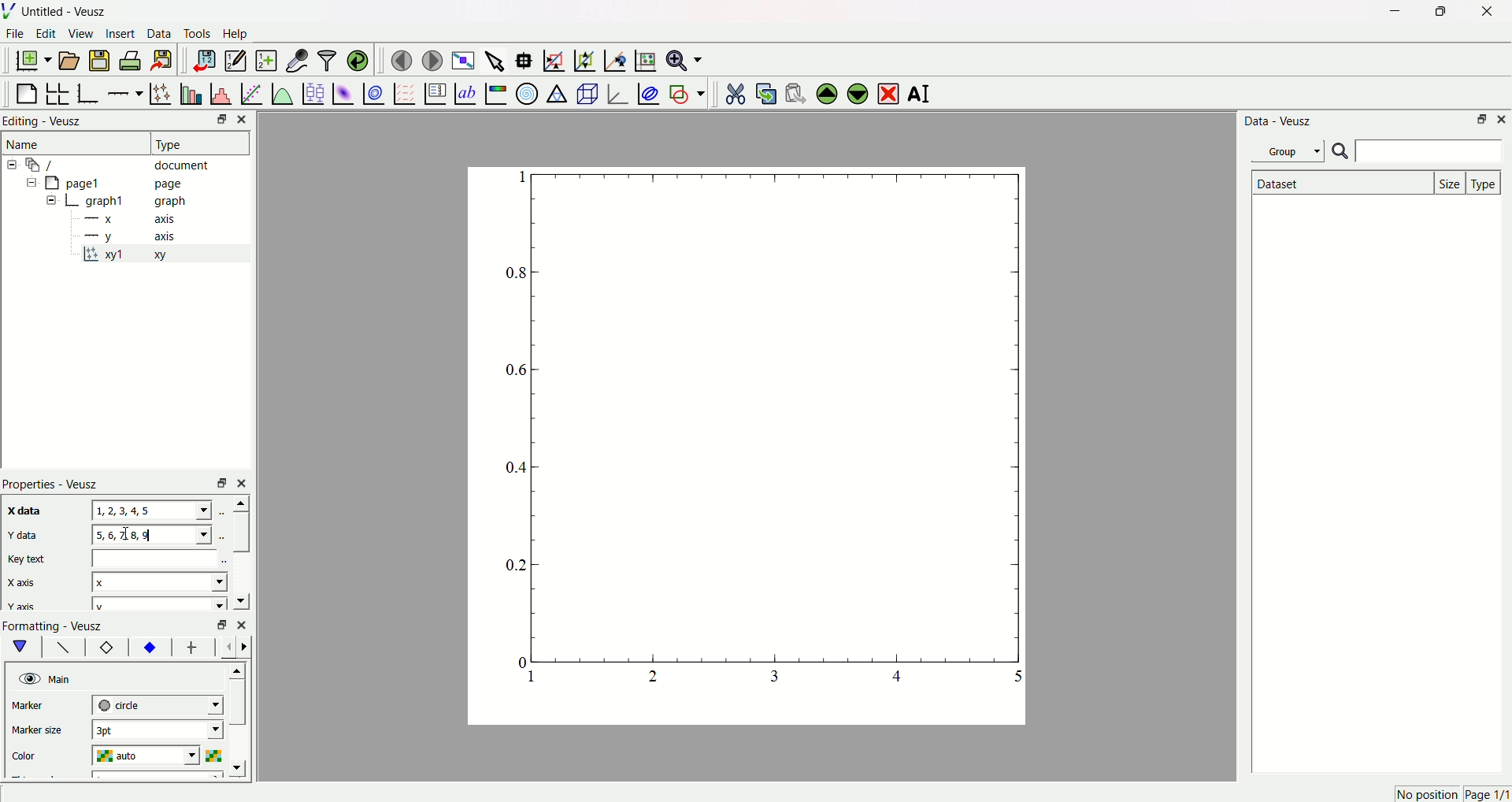  Describe the element at coordinates (1417, 152) in the screenshot. I see `Searchbar` at that location.